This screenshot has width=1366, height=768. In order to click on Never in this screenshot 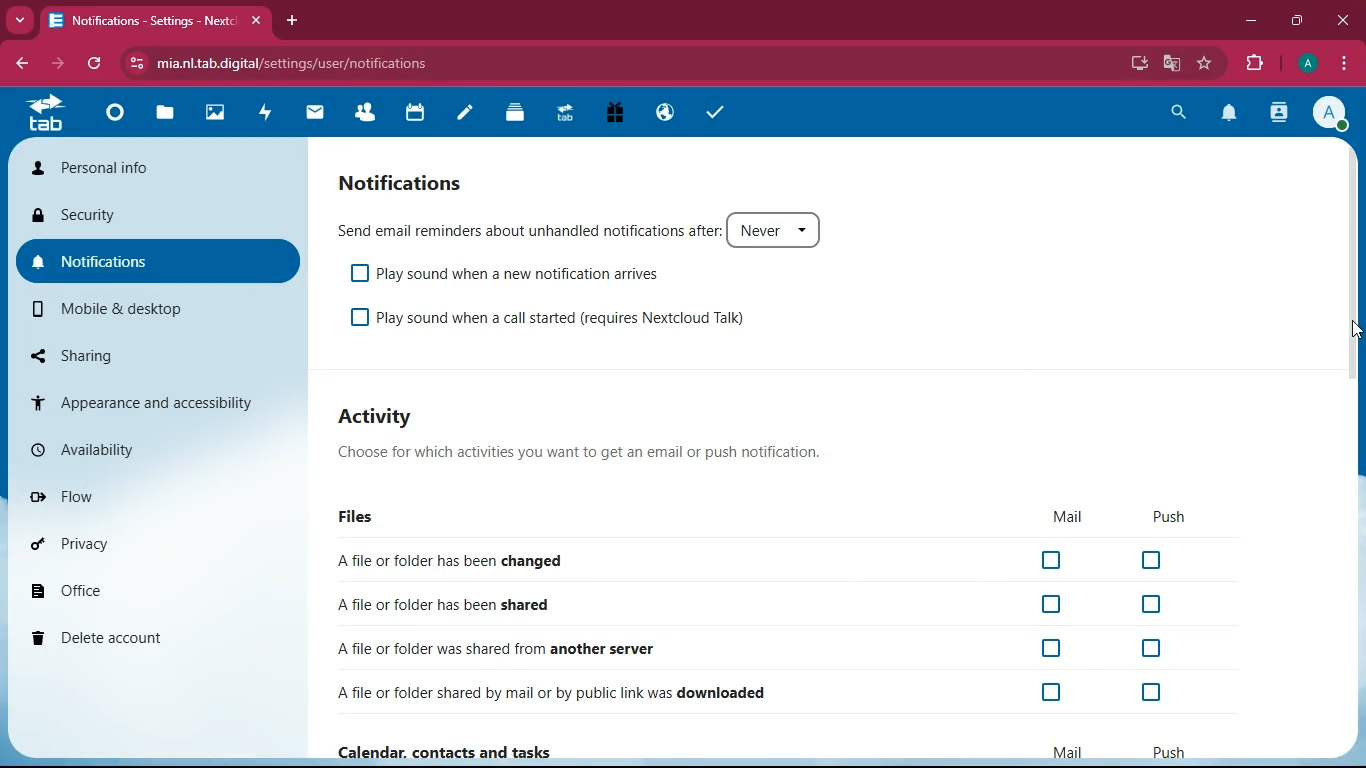, I will do `click(759, 231)`.